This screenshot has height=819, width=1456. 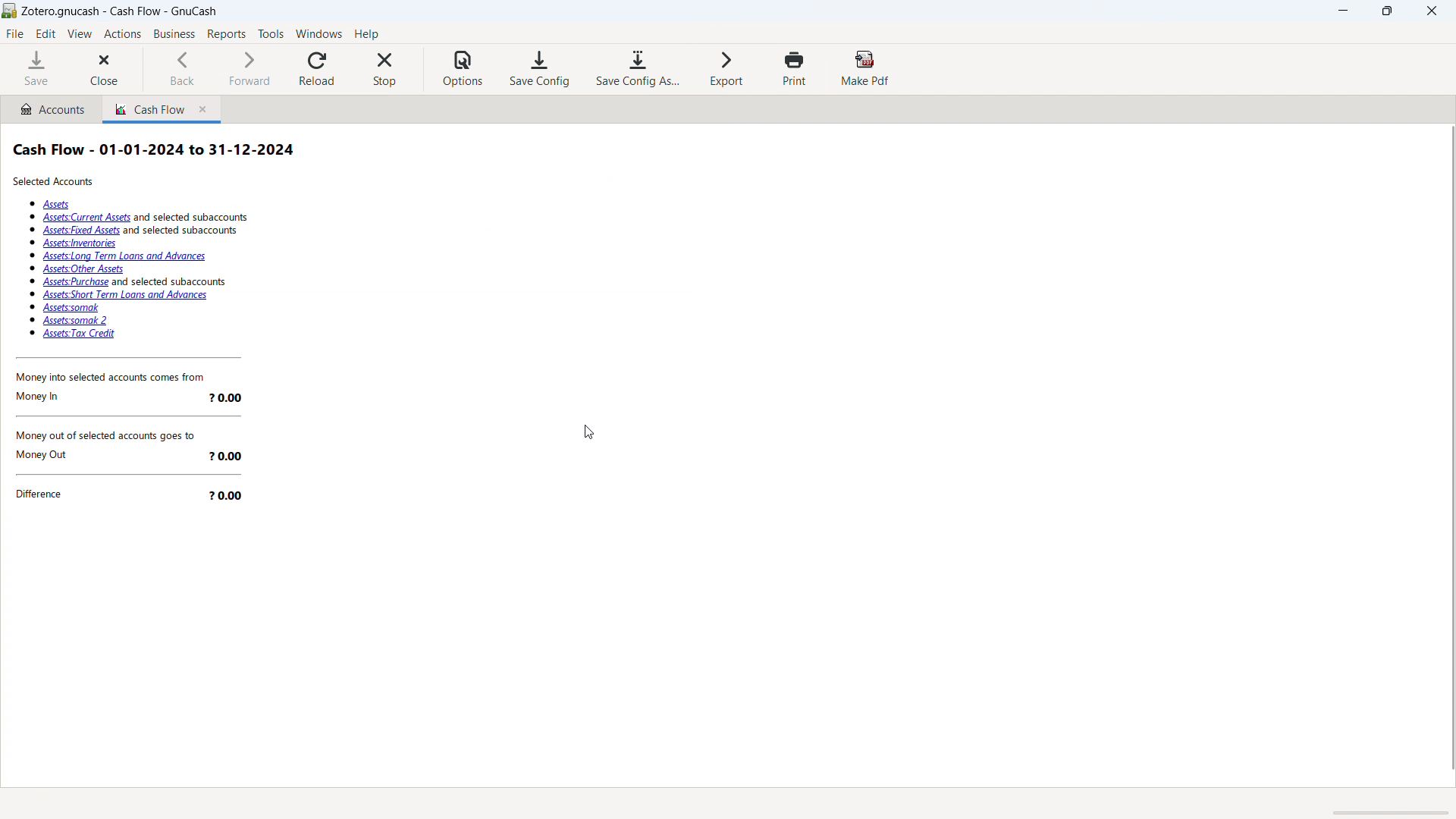 I want to click on print, so click(x=793, y=69).